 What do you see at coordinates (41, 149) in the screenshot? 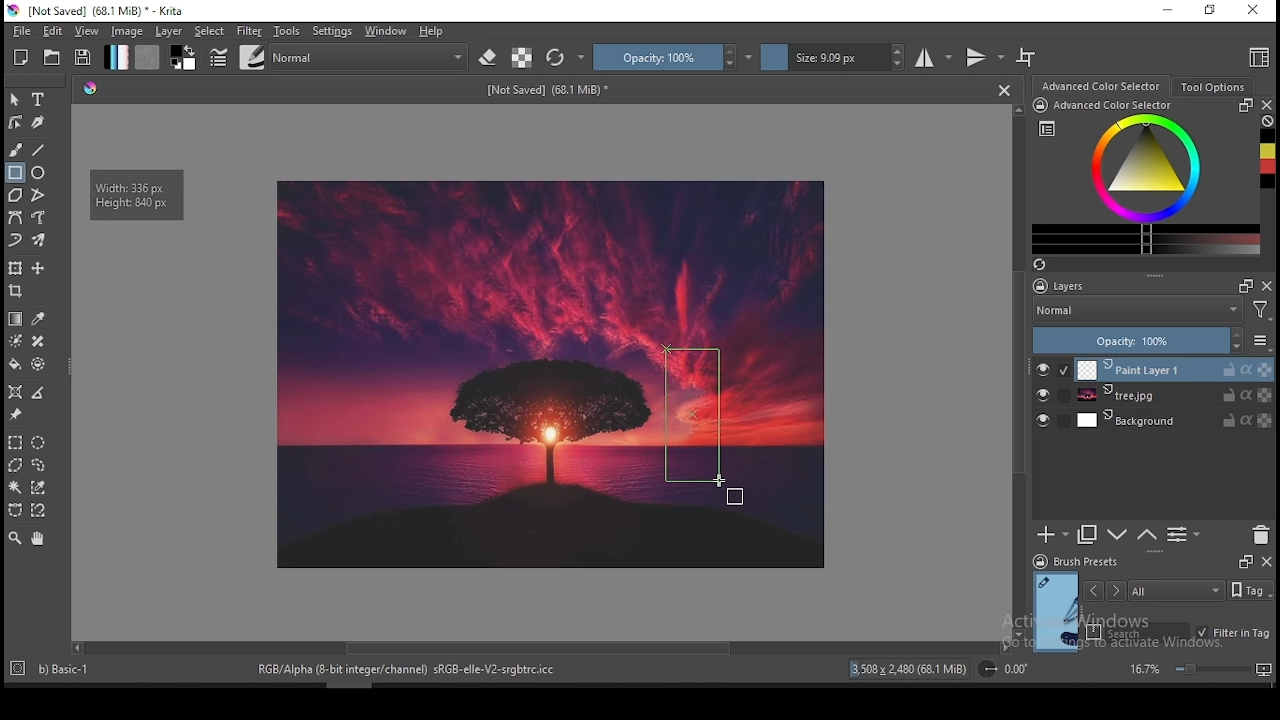
I see `line tool` at bounding box center [41, 149].